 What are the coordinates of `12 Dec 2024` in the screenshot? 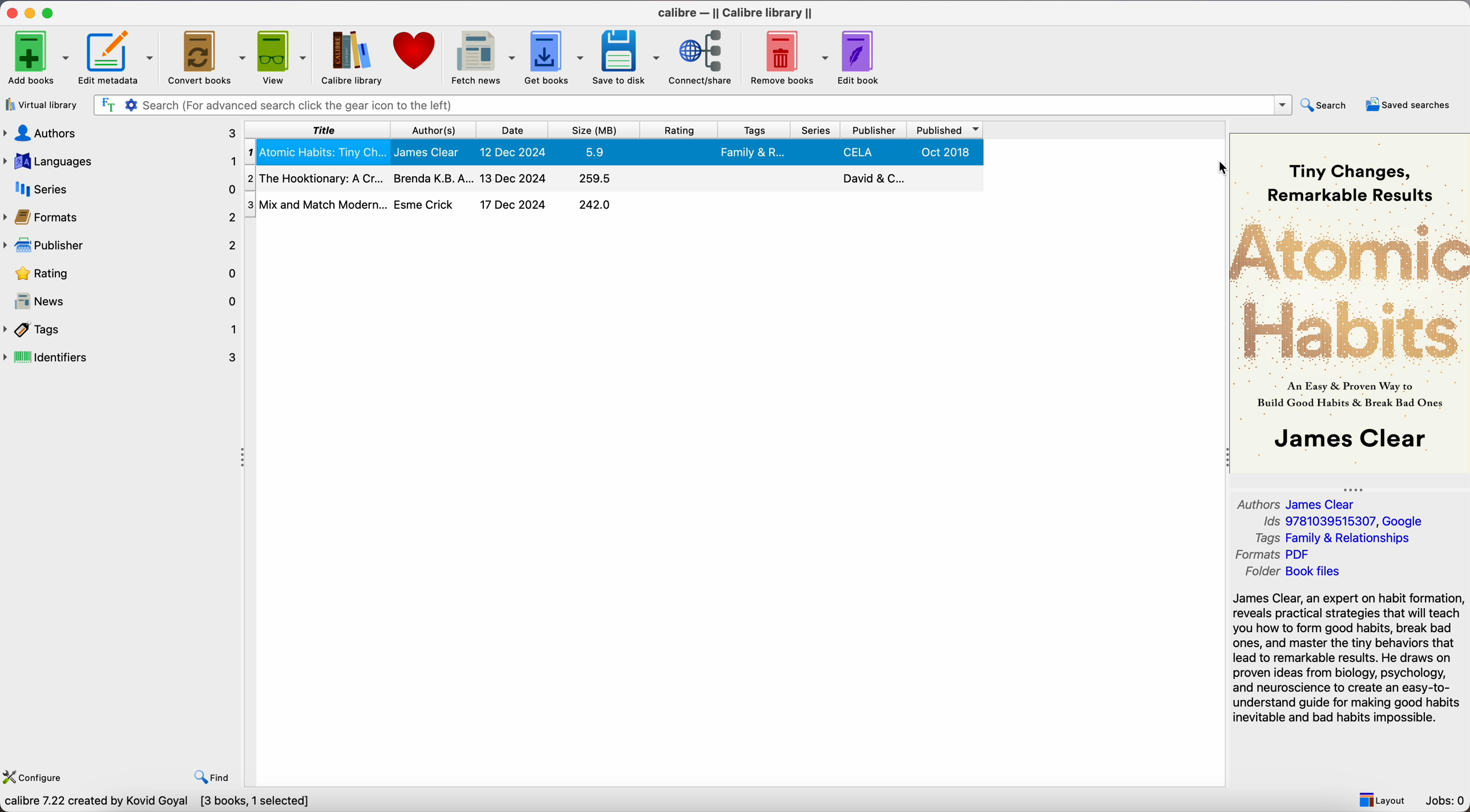 It's located at (512, 151).